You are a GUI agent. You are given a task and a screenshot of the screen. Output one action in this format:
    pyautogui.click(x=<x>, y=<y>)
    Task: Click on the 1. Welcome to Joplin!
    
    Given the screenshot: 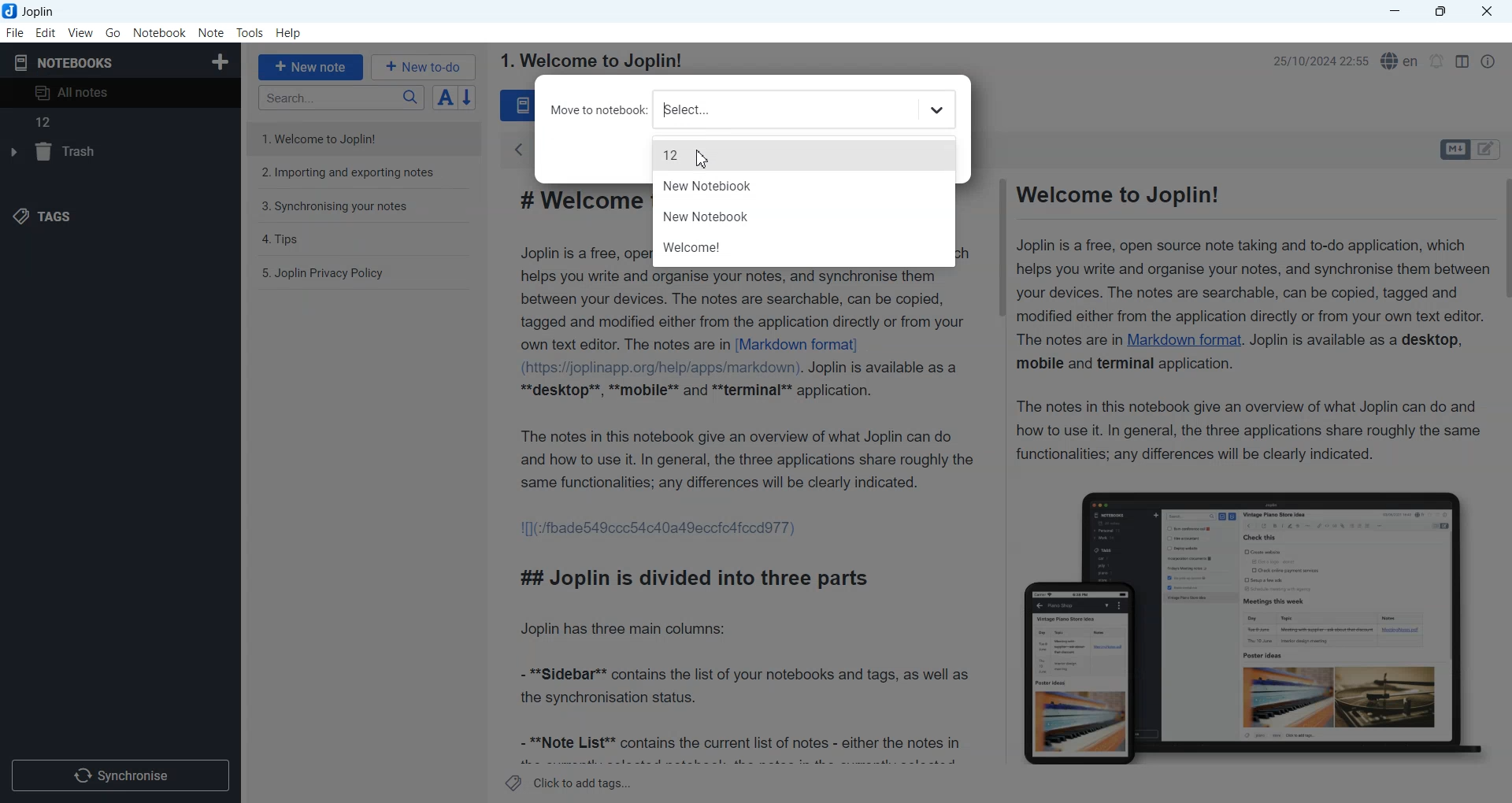 What is the action you would take?
    pyautogui.click(x=590, y=61)
    